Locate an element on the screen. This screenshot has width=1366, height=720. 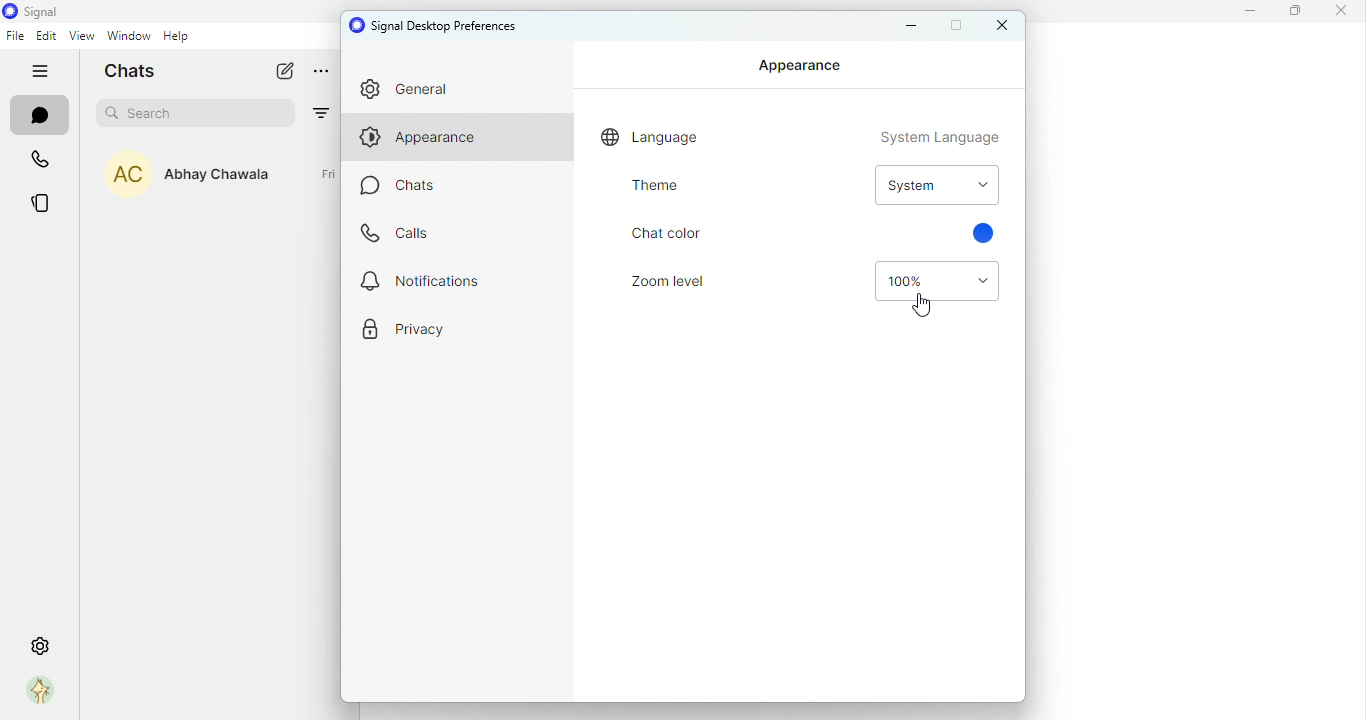
Abhay Chawla is located at coordinates (229, 180).